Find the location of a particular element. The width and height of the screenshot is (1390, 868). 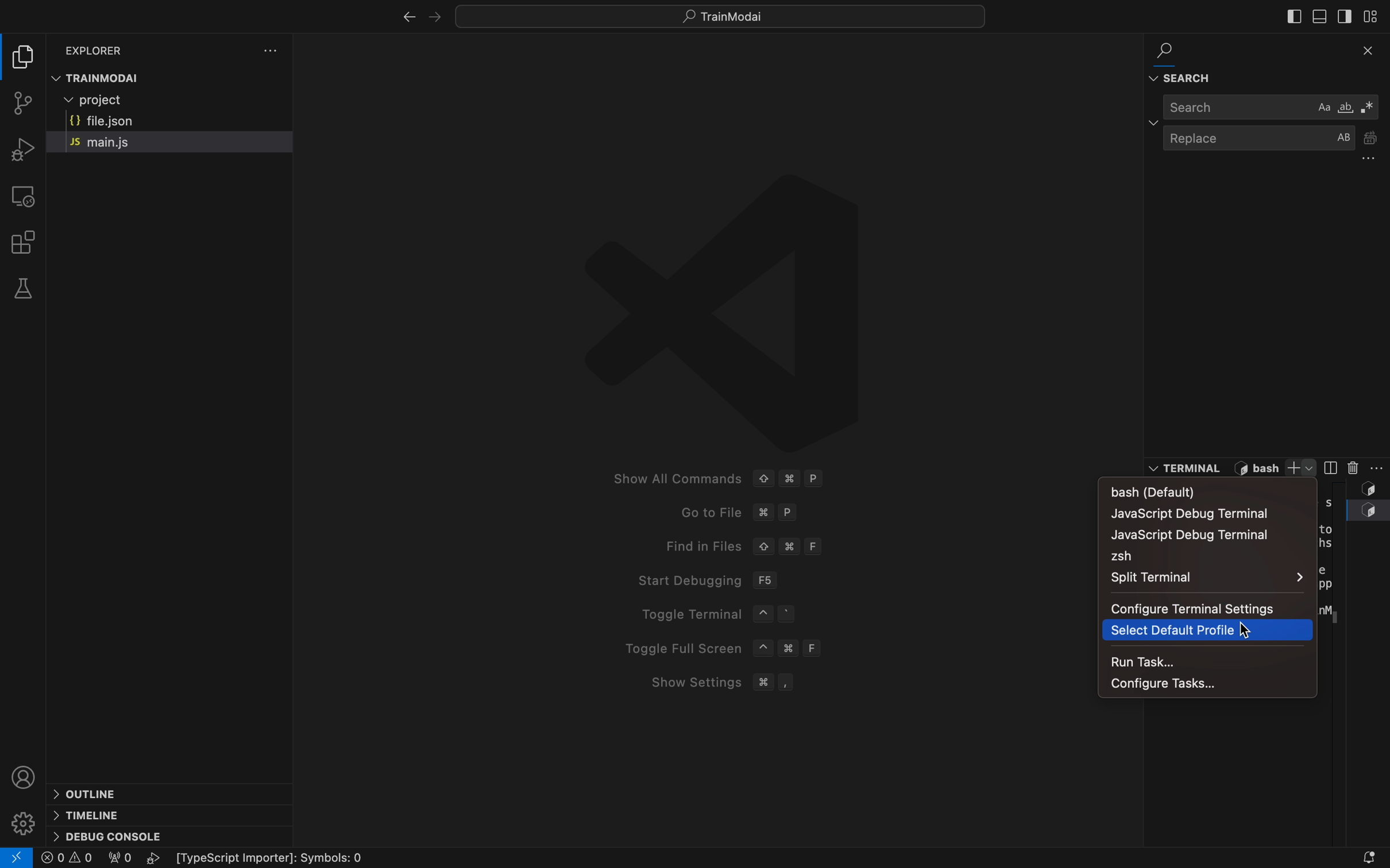

 is located at coordinates (88, 815).